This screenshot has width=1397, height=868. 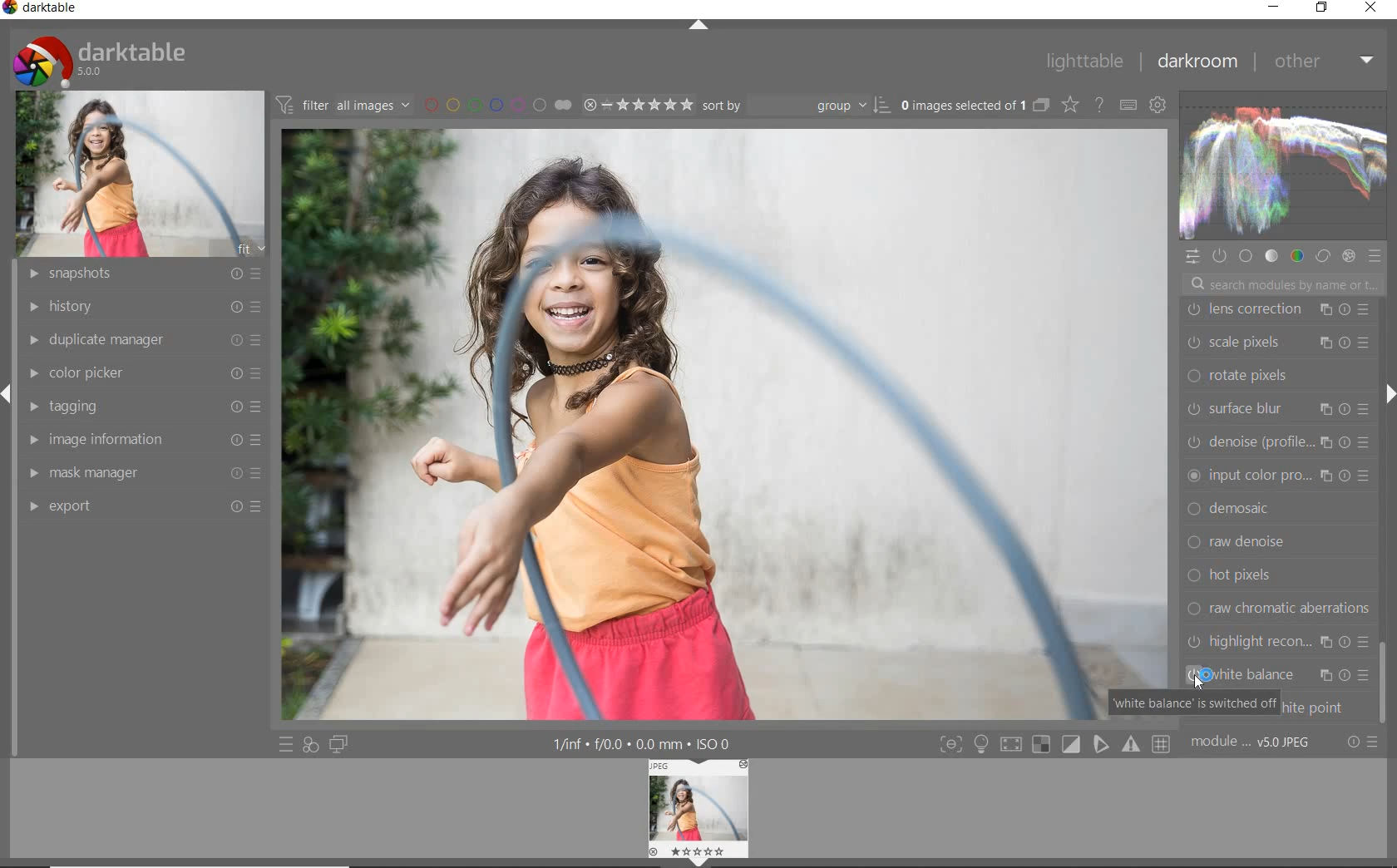 I want to click on filter images, so click(x=343, y=106).